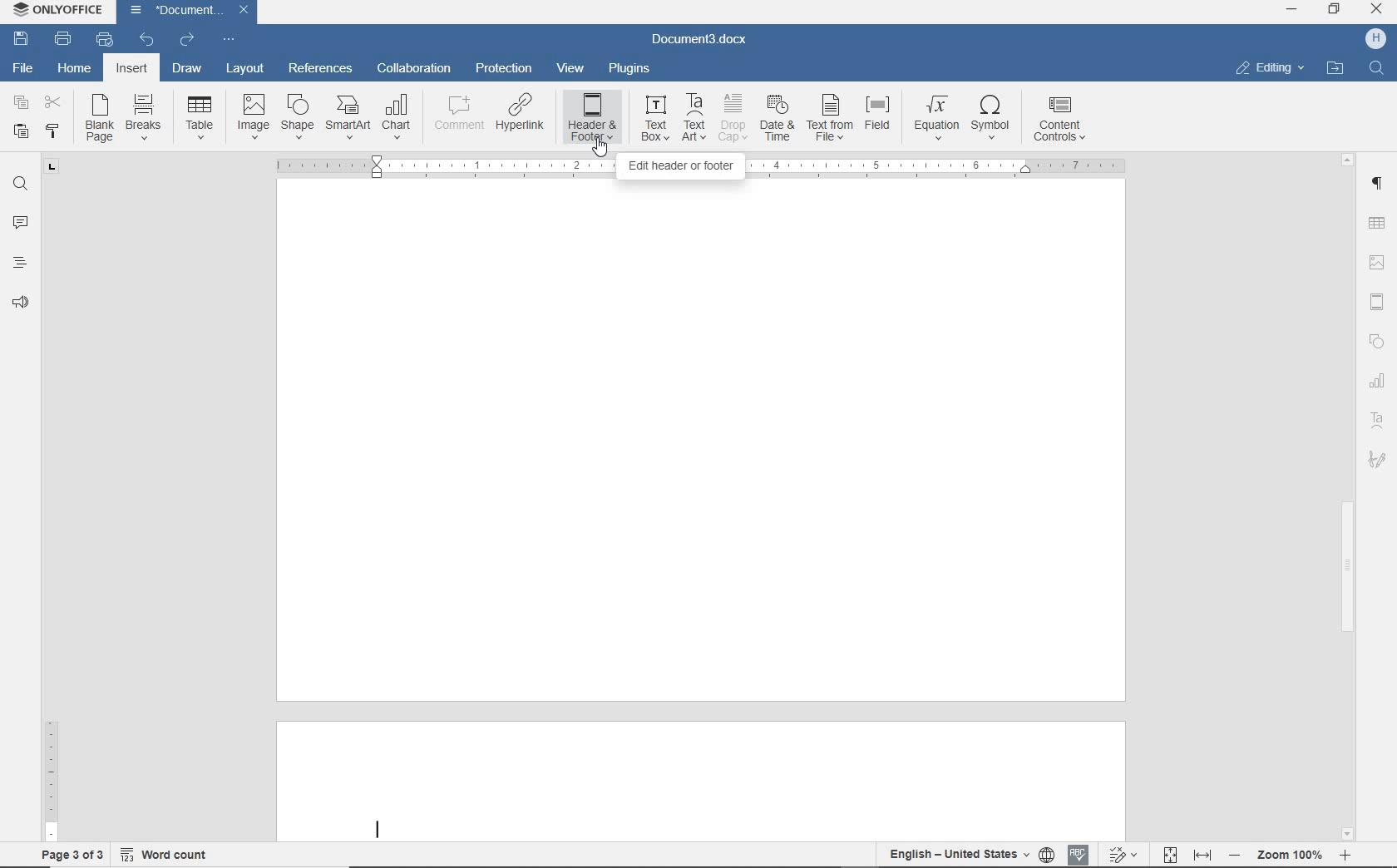 Image resolution: width=1397 pixels, height=868 pixels. What do you see at coordinates (200, 118) in the screenshot?
I see `TABLE` at bounding box center [200, 118].